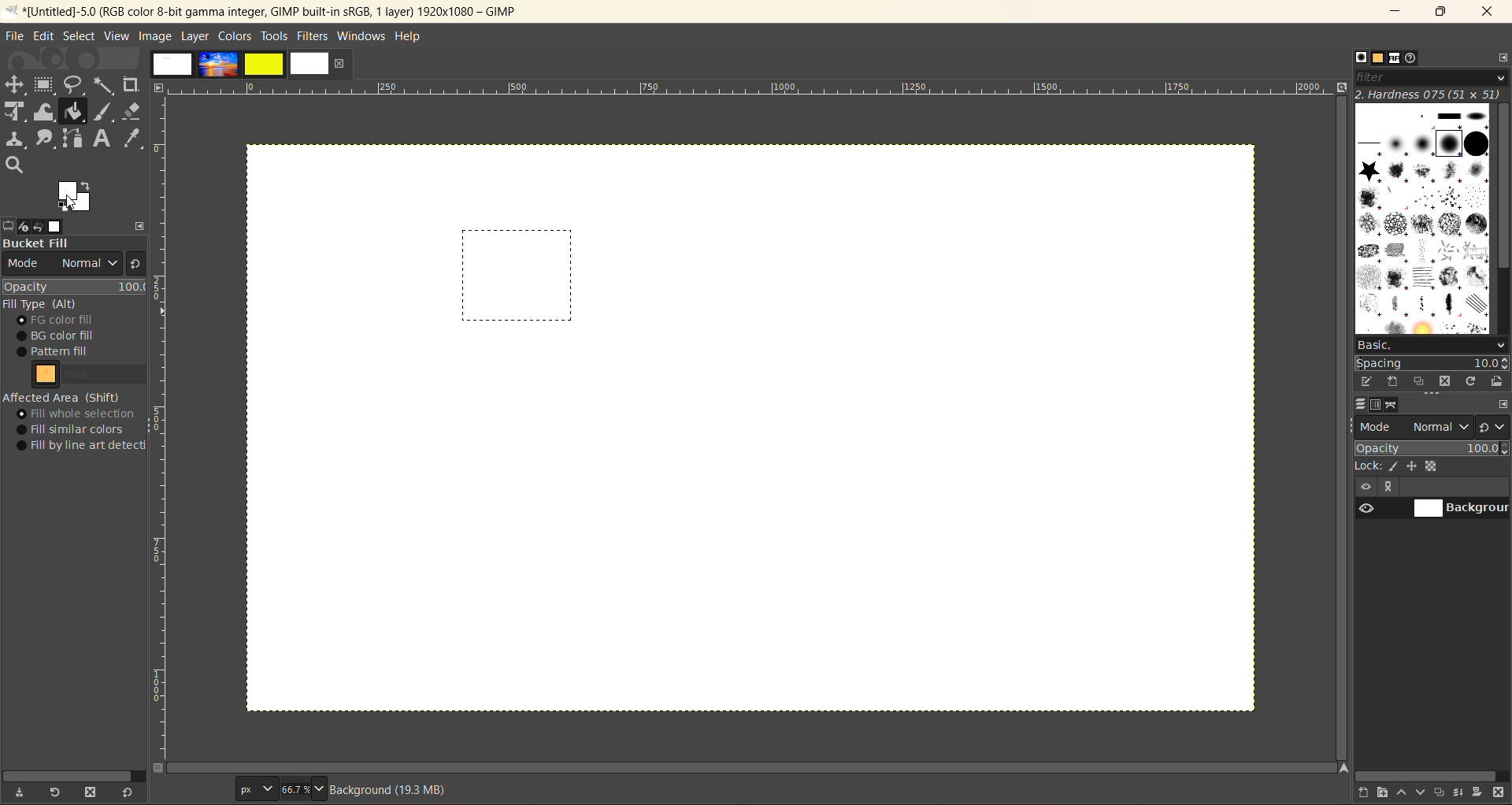 This screenshot has width=1512, height=805. I want to click on images, so click(57, 225).